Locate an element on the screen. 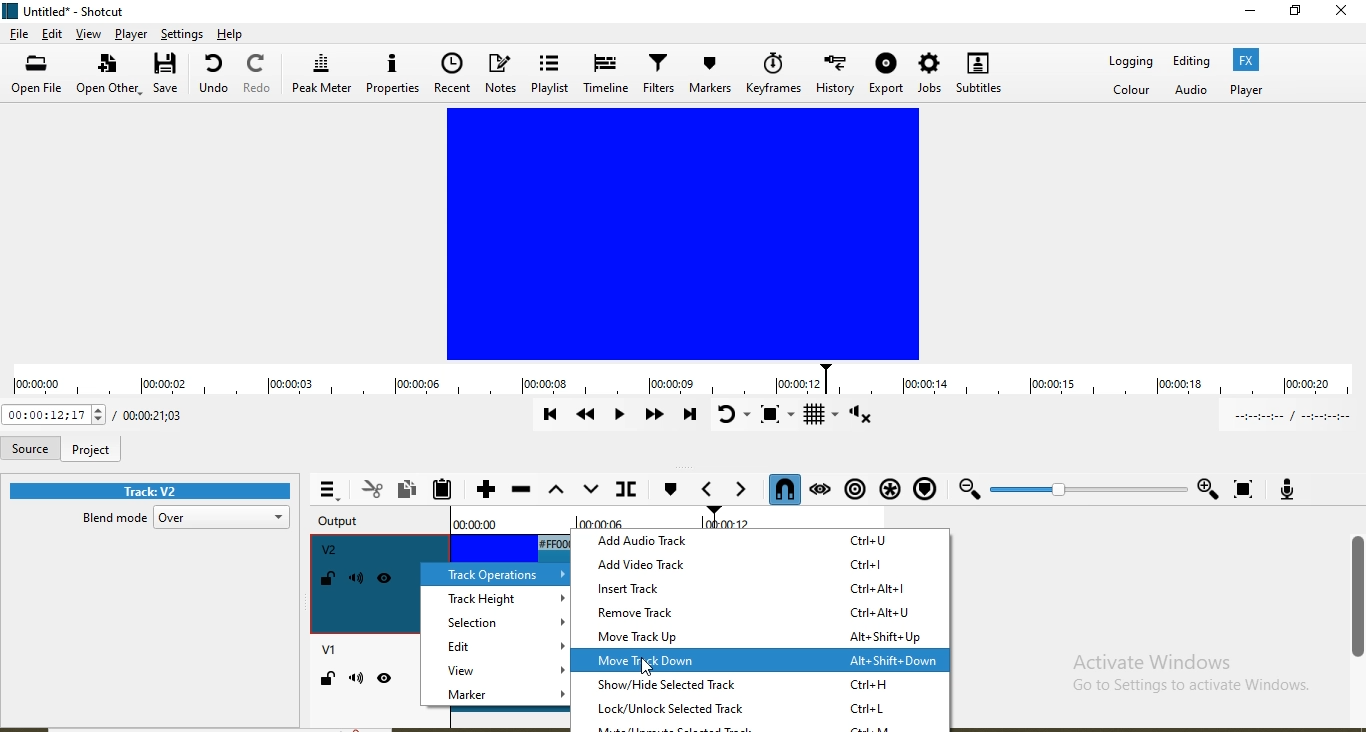  Notes is located at coordinates (501, 77).